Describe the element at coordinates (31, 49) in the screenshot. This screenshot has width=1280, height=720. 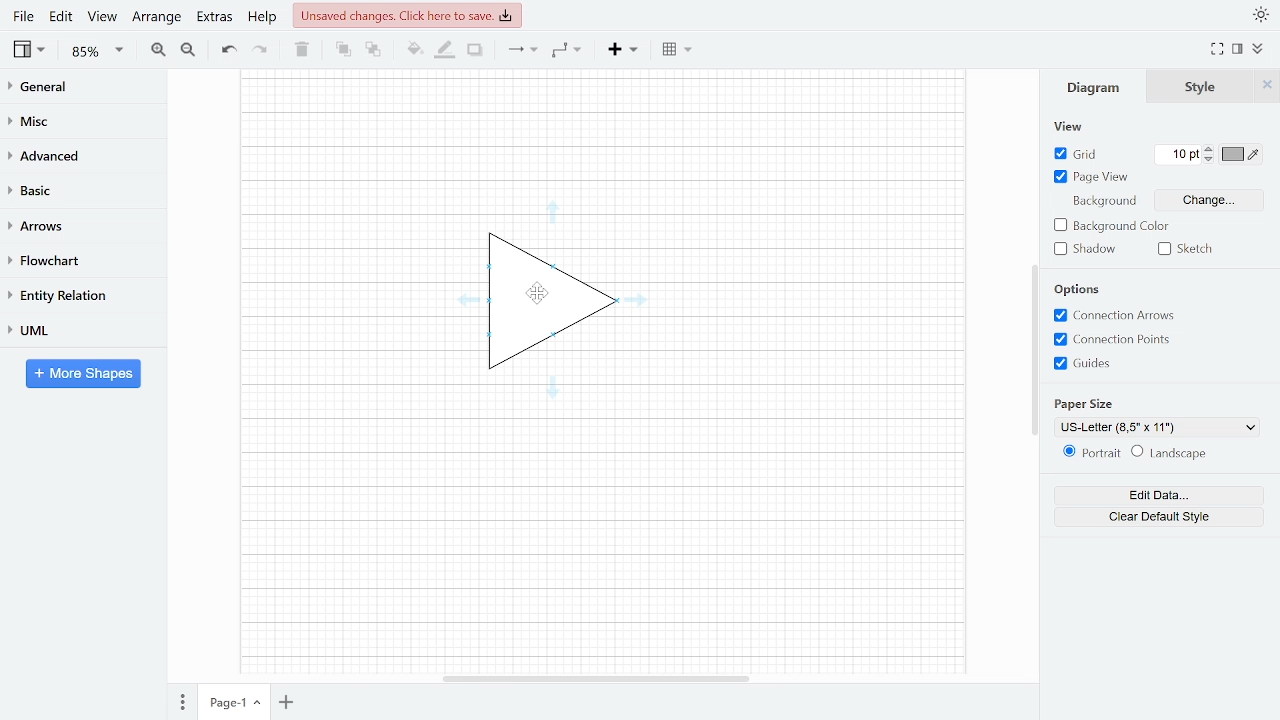
I see `View` at that location.